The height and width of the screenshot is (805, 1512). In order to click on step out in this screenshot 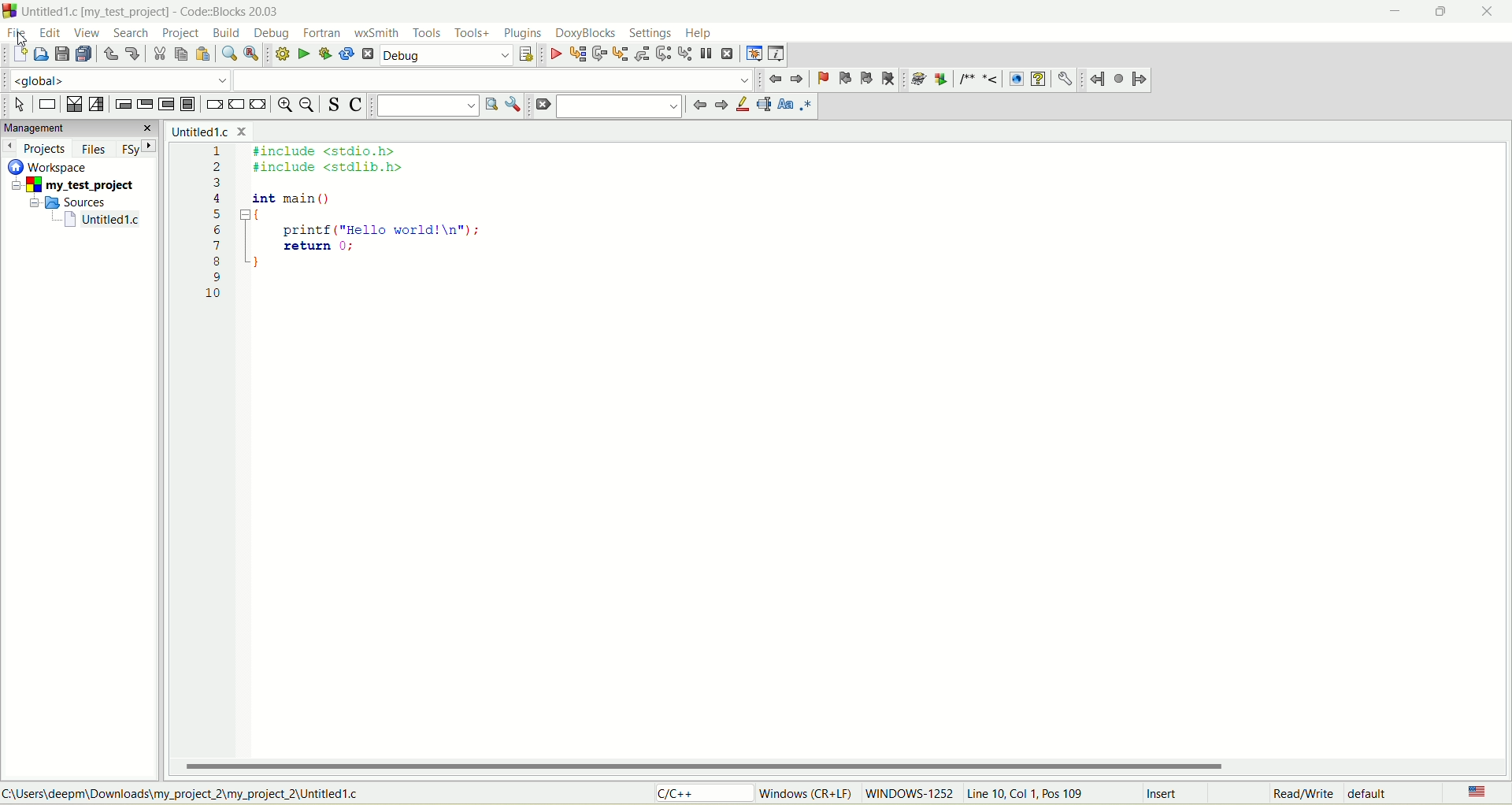, I will do `click(640, 54)`.